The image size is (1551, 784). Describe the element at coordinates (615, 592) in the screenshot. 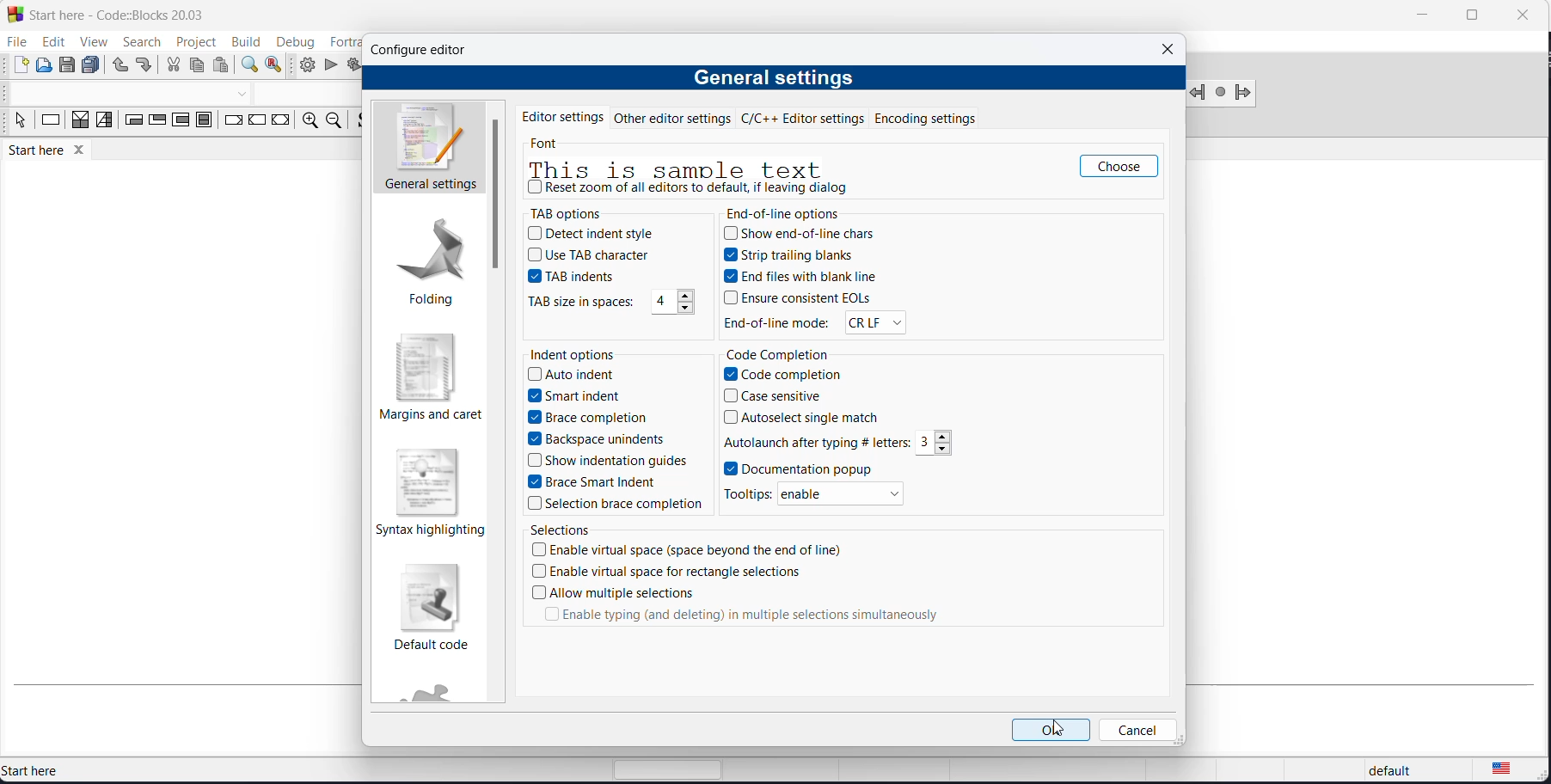

I see `allow multiple selections` at that location.